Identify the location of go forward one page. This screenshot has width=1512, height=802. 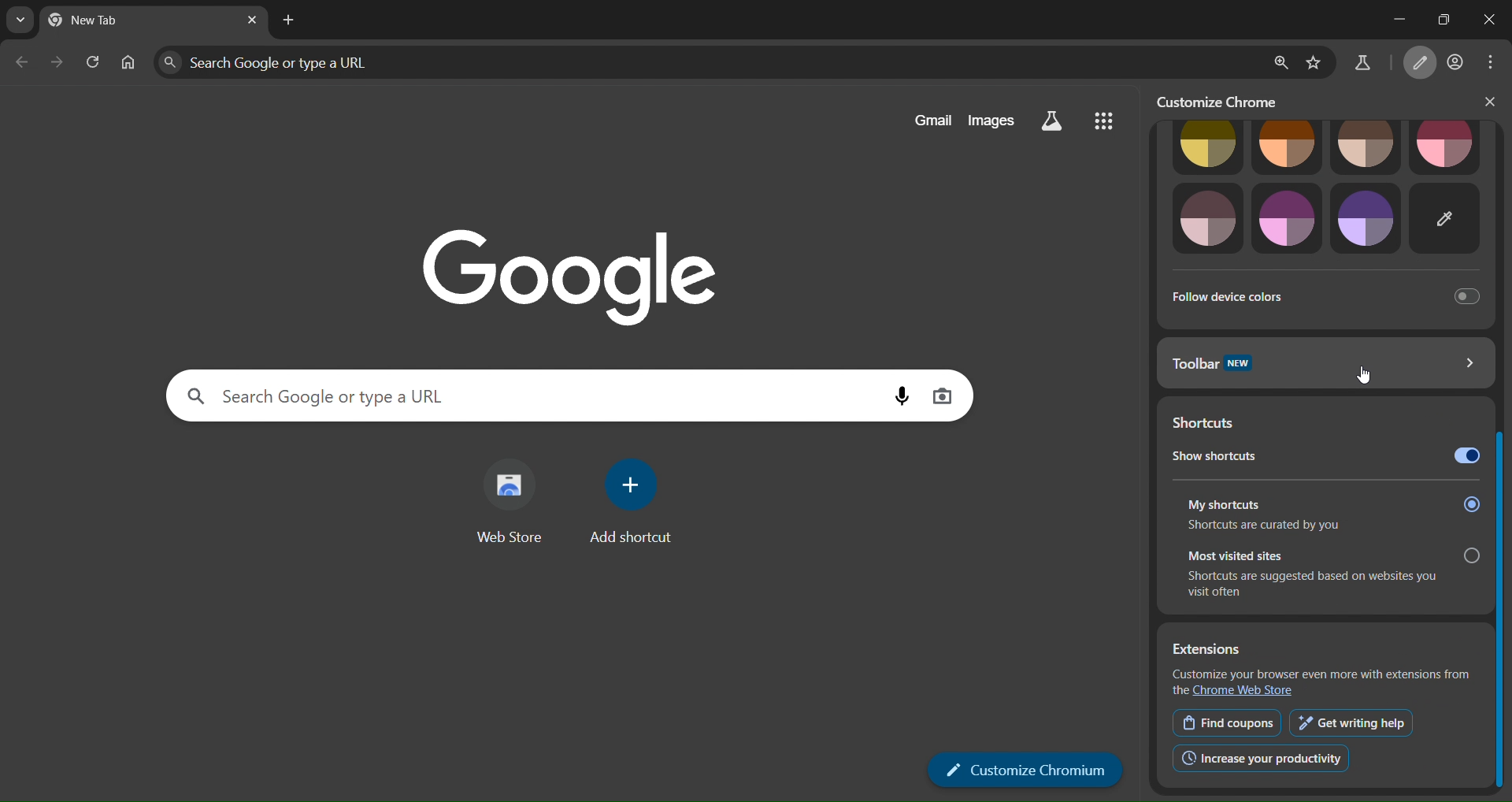
(57, 64).